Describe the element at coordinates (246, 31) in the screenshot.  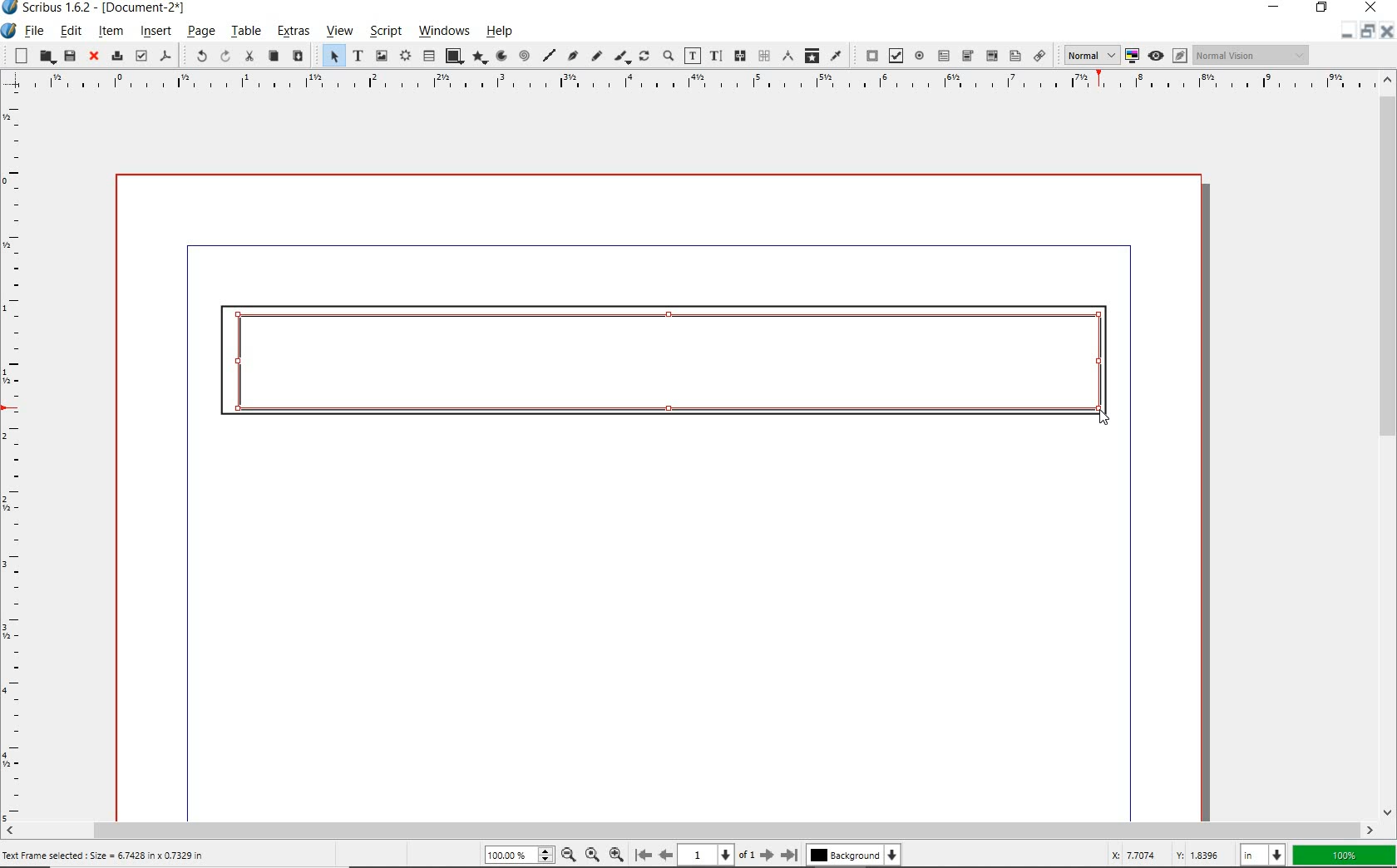
I see `table` at that location.